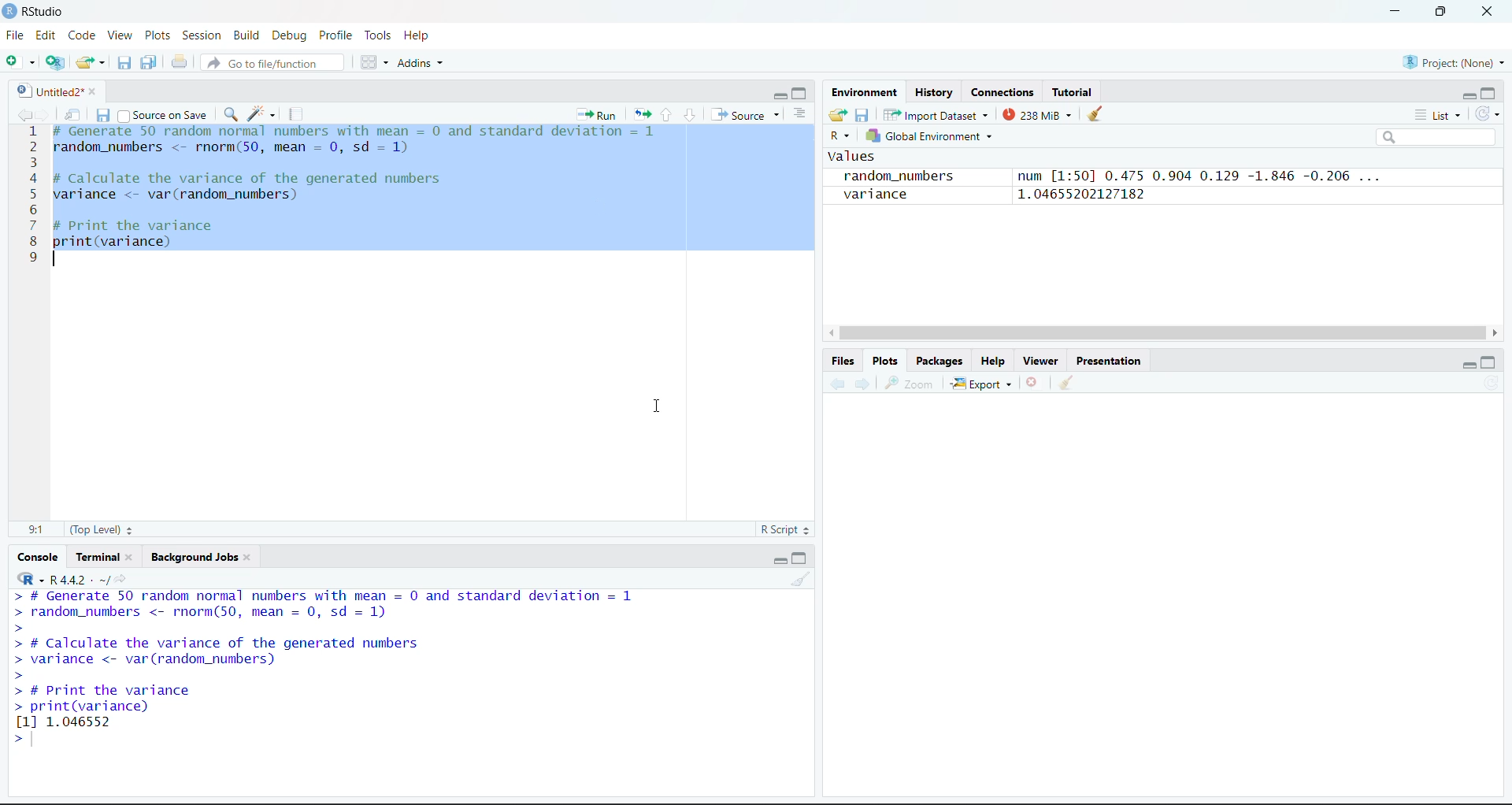  Describe the element at coordinates (1468, 367) in the screenshot. I see `minimize` at that location.